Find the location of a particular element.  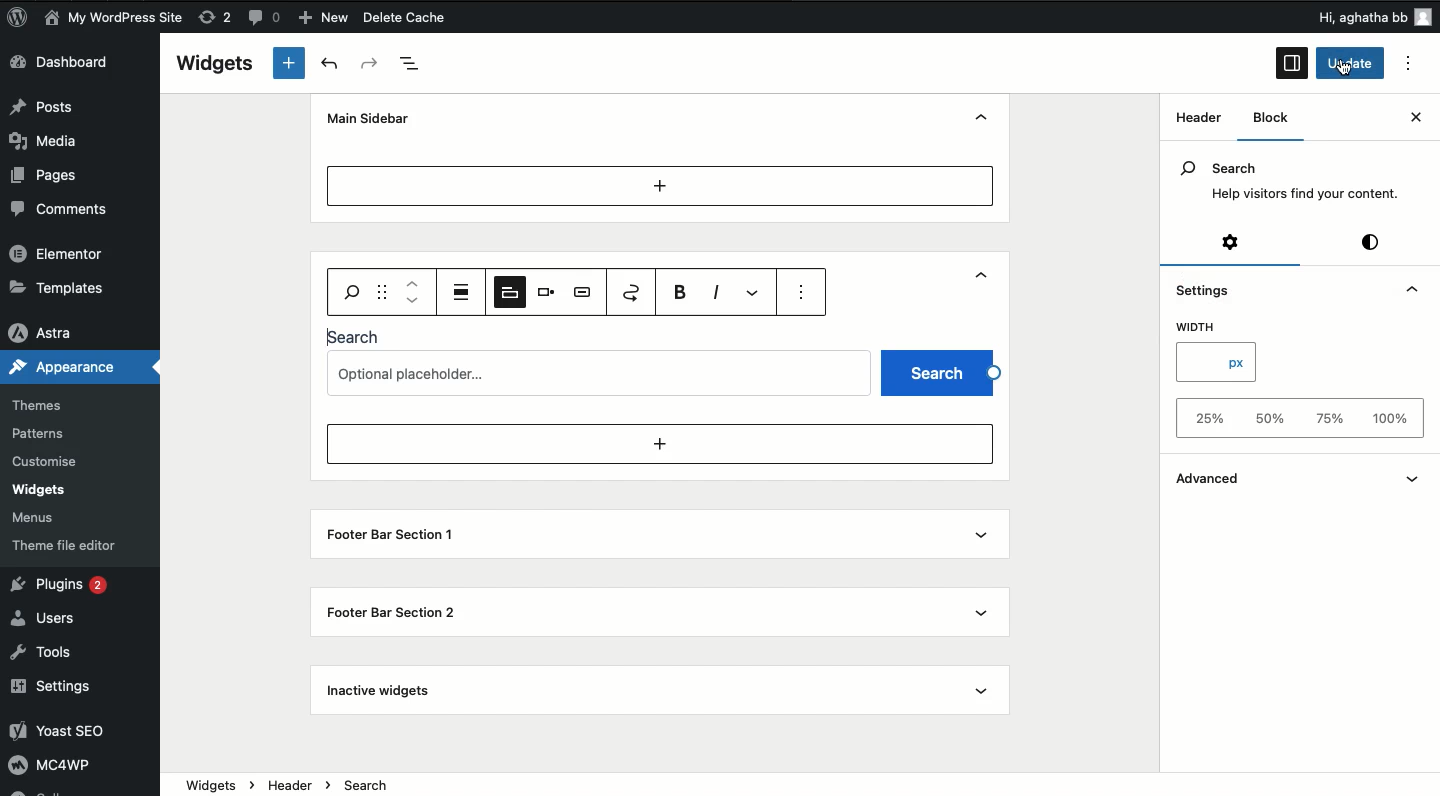

 is located at coordinates (267, 20).